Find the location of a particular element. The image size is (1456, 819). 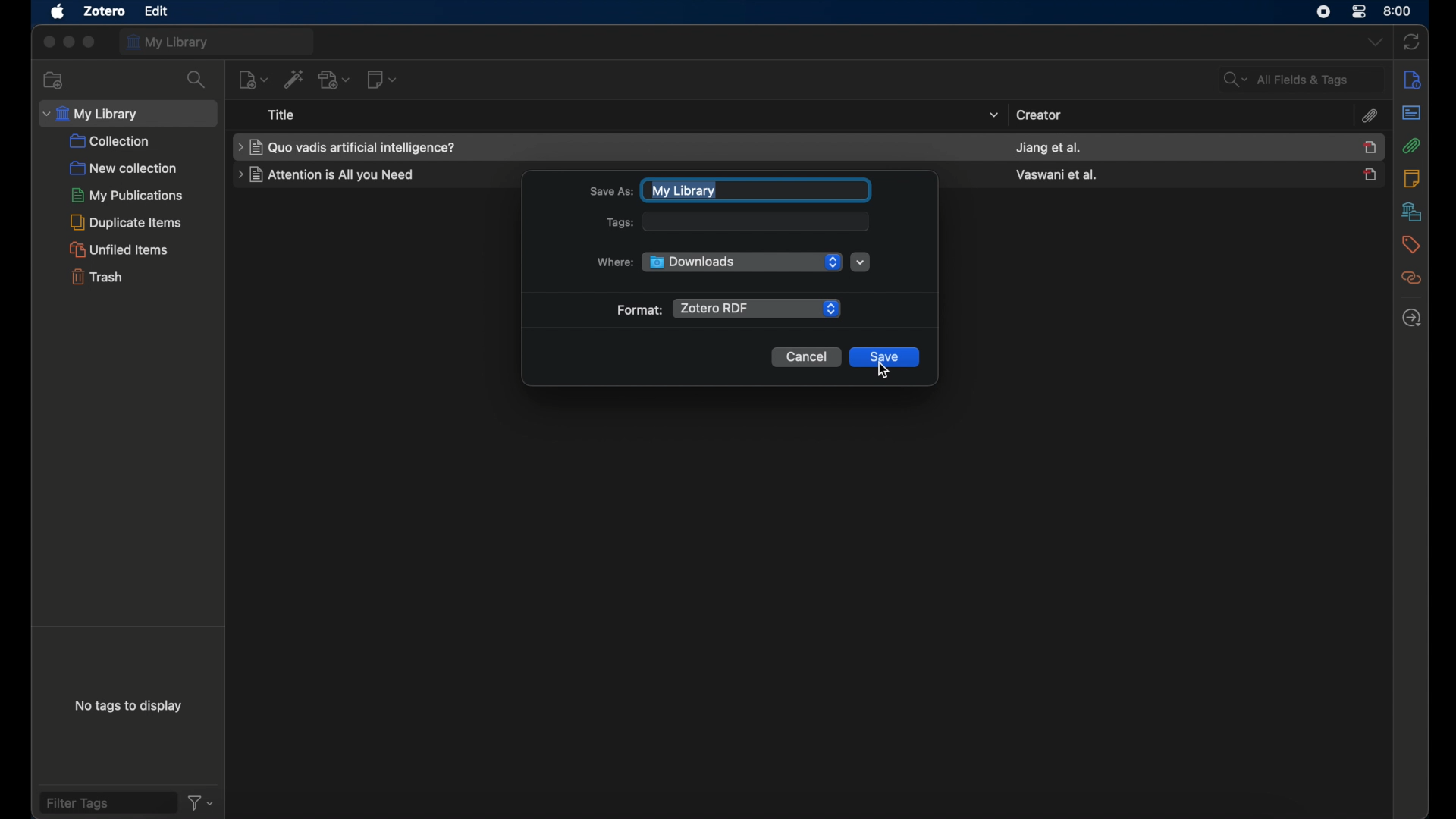

related is located at coordinates (1410, 279).